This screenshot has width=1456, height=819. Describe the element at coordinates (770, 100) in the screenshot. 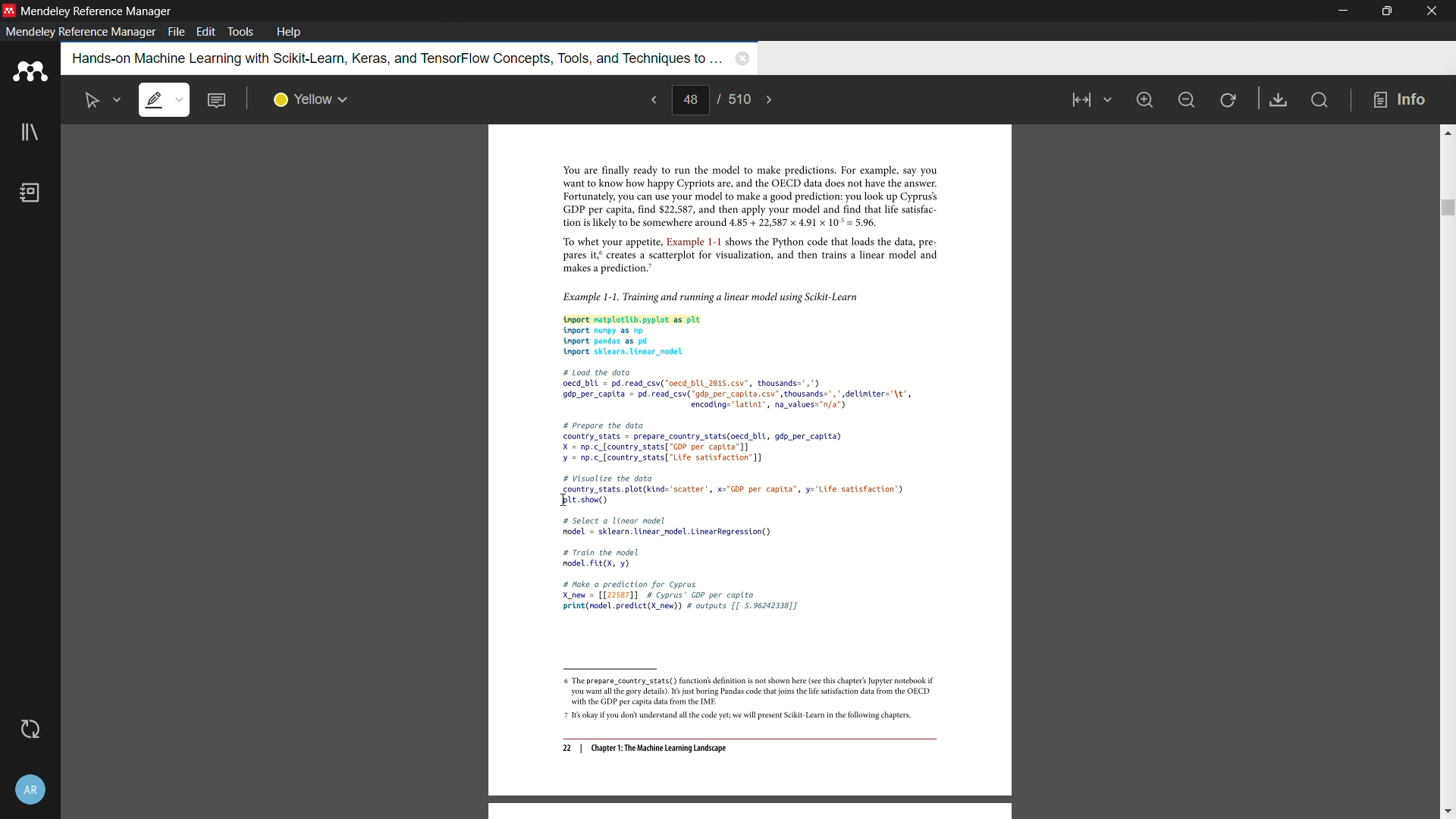

I see `next page` at that location.